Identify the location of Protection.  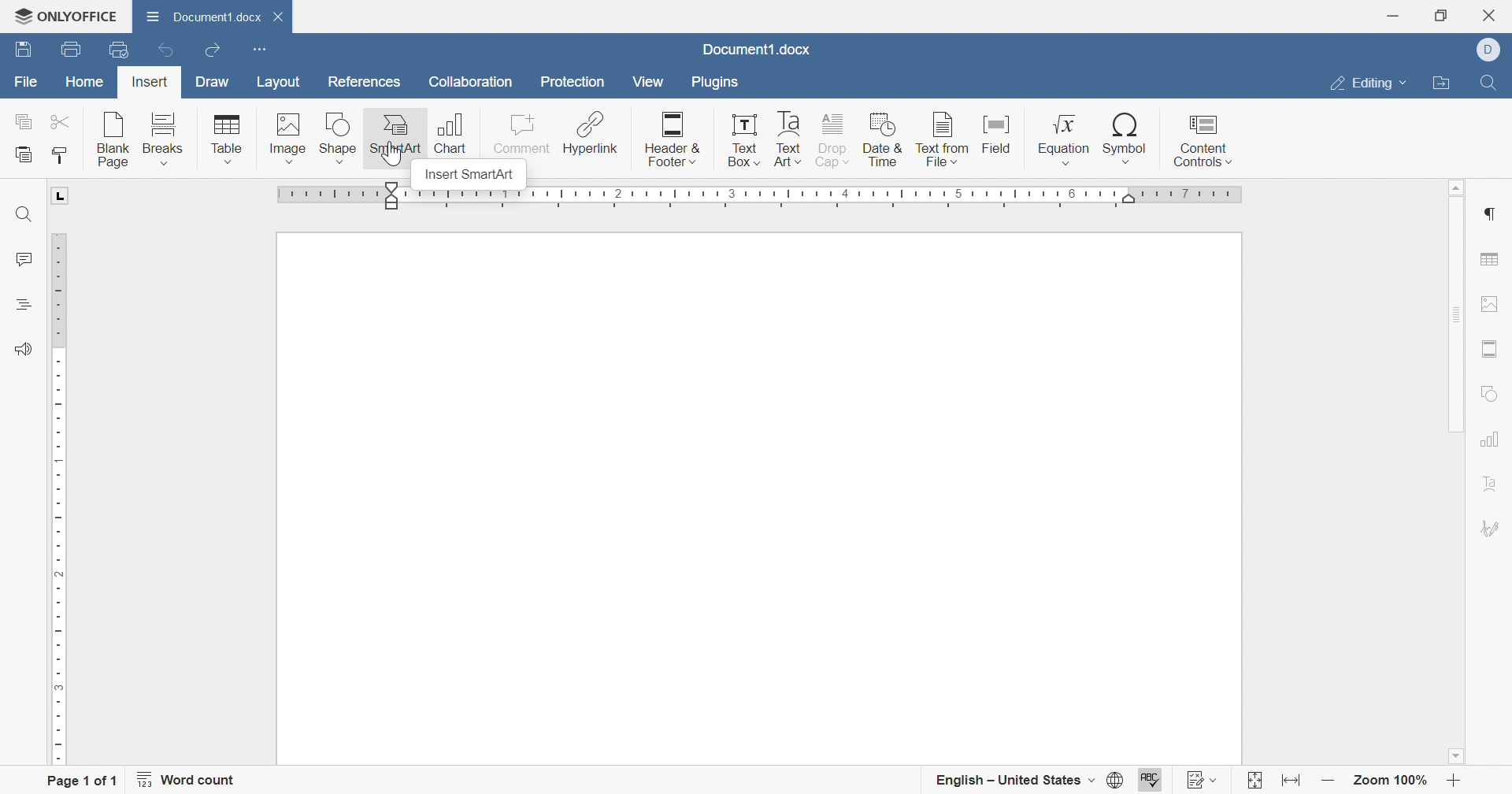
(571, 82).